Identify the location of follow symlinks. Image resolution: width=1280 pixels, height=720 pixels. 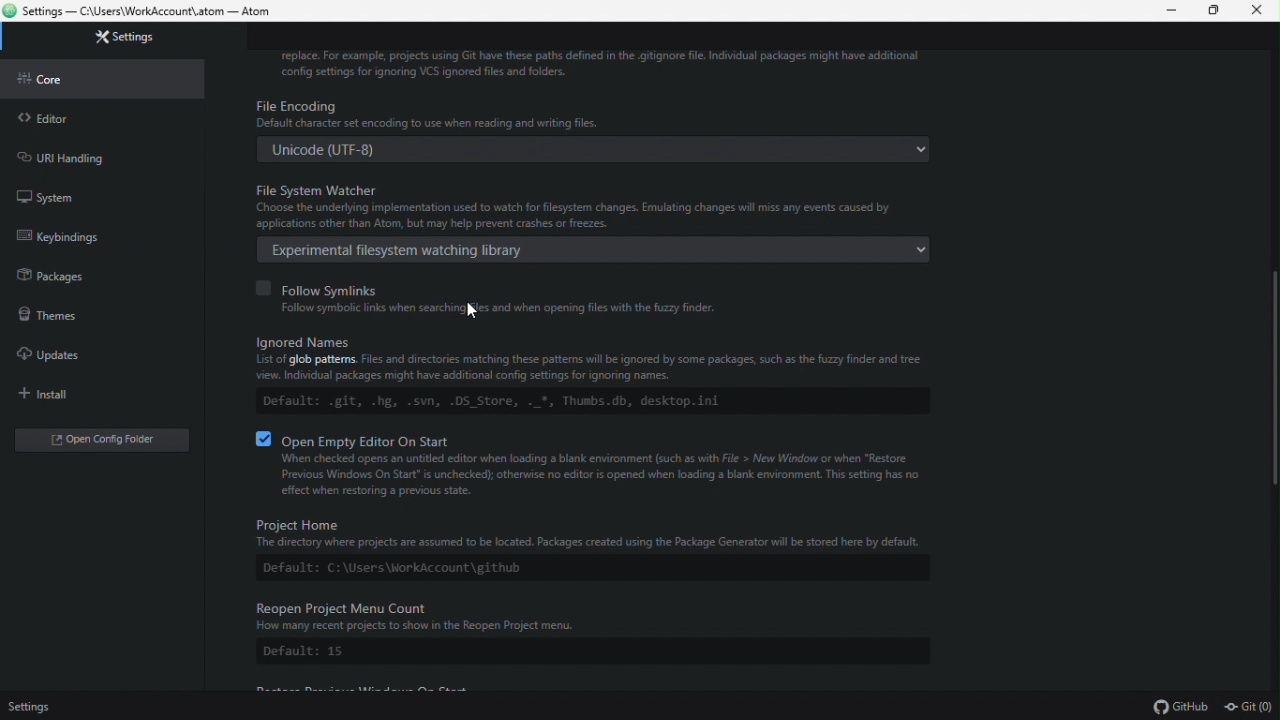
(546, 294).